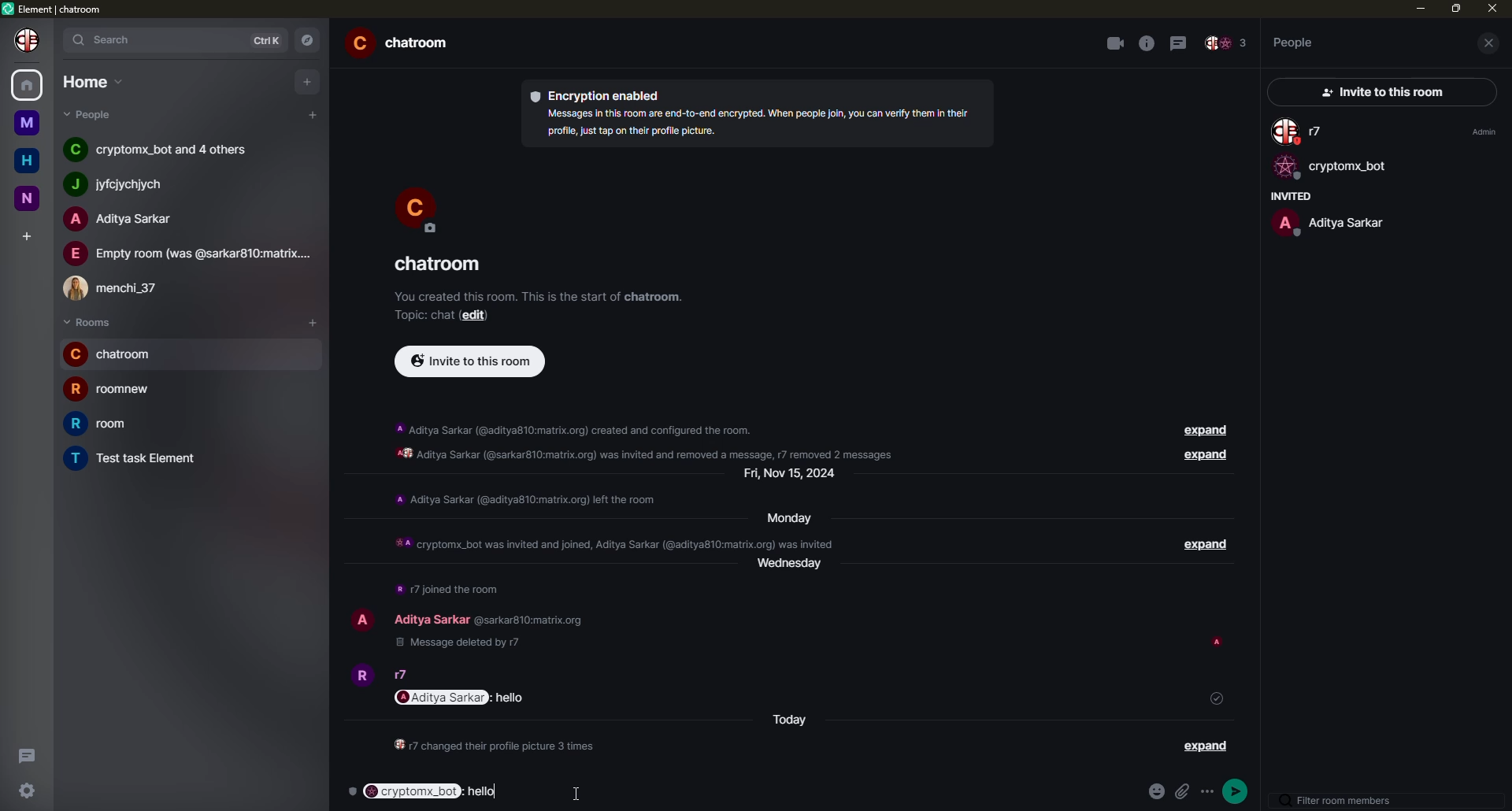 The height and width of the screenshot is (811, 1512). What do you see at coordinates (754, 122) in the screenshot?
I see `info` at bounding box center [754, 122].